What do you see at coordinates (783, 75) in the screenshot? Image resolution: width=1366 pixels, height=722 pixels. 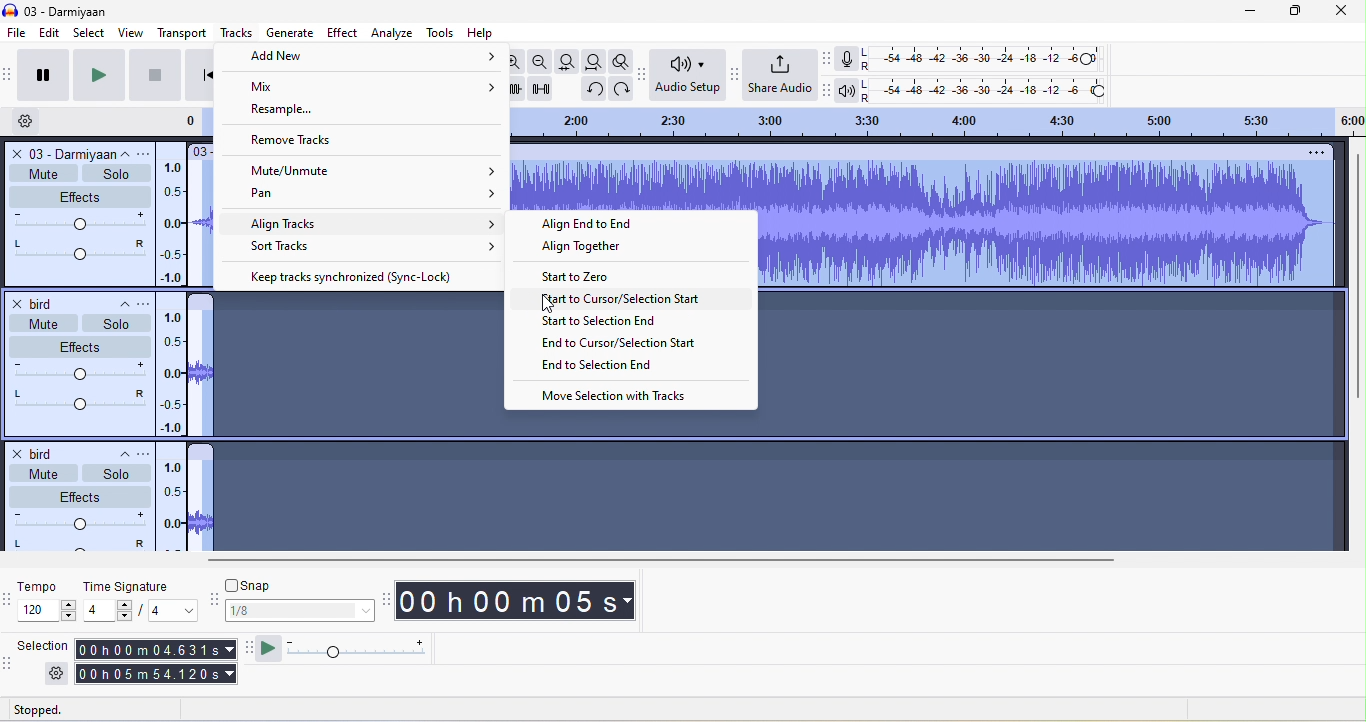 I see `share audio` at bounding box center [783, 75].